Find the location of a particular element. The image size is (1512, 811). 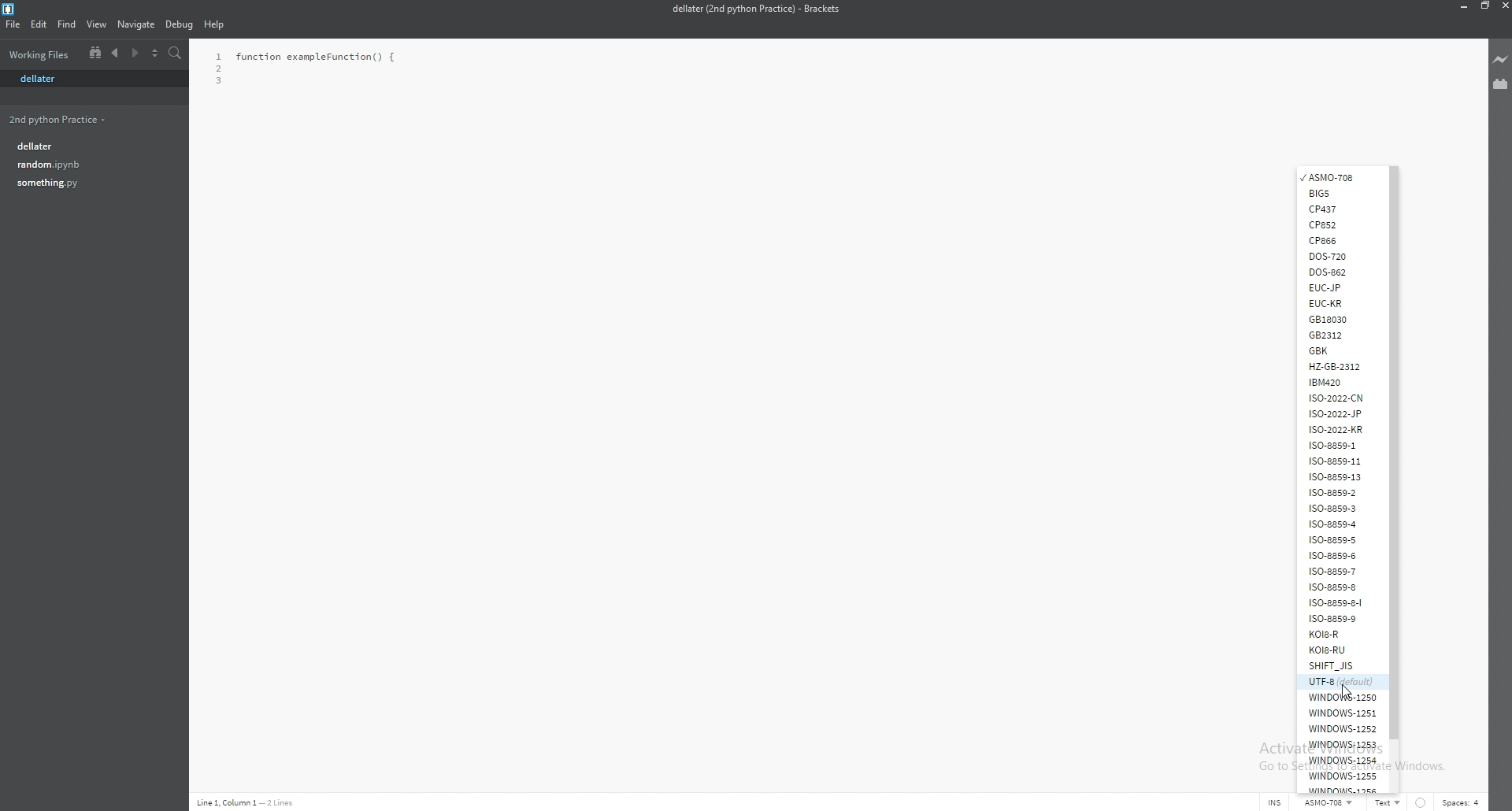

something.py is located at coordinates (90, 183).